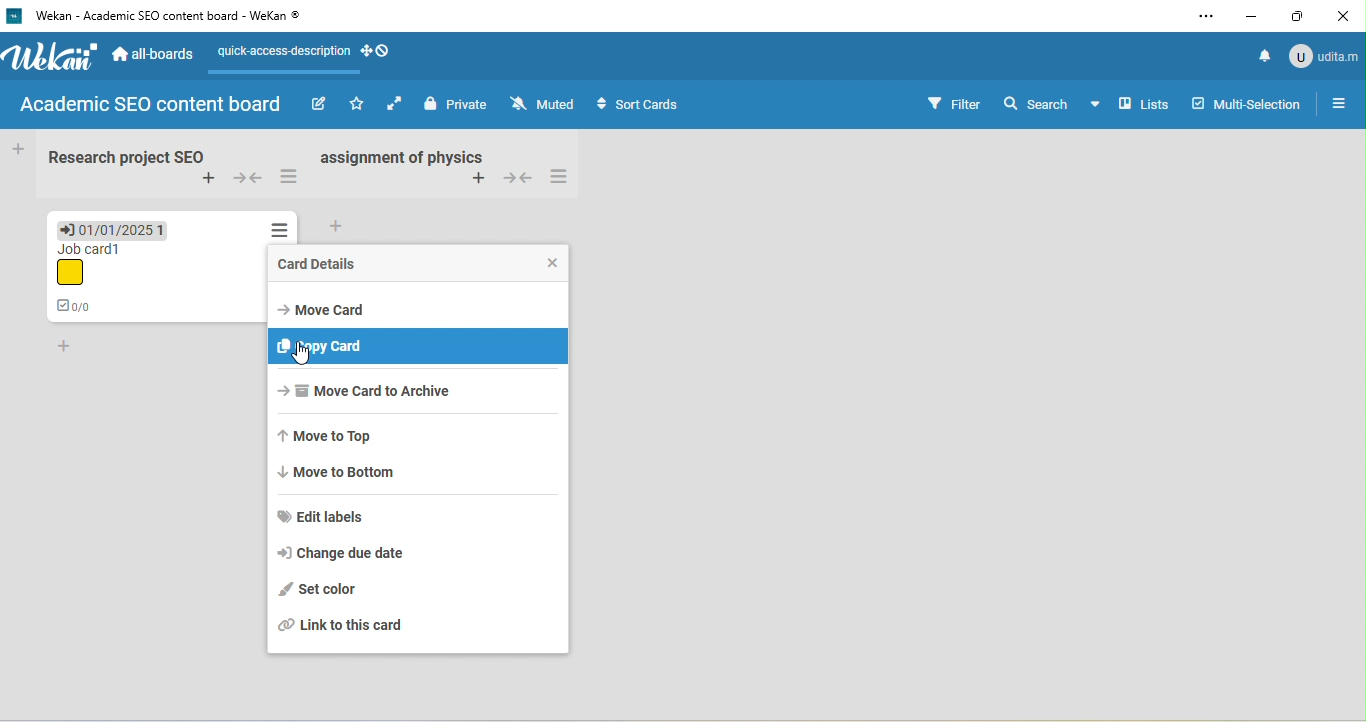 The height and width of the screenshot is (722, 1366). I want to click on wekan-academic seo content board-wekan, so click(178, 16).